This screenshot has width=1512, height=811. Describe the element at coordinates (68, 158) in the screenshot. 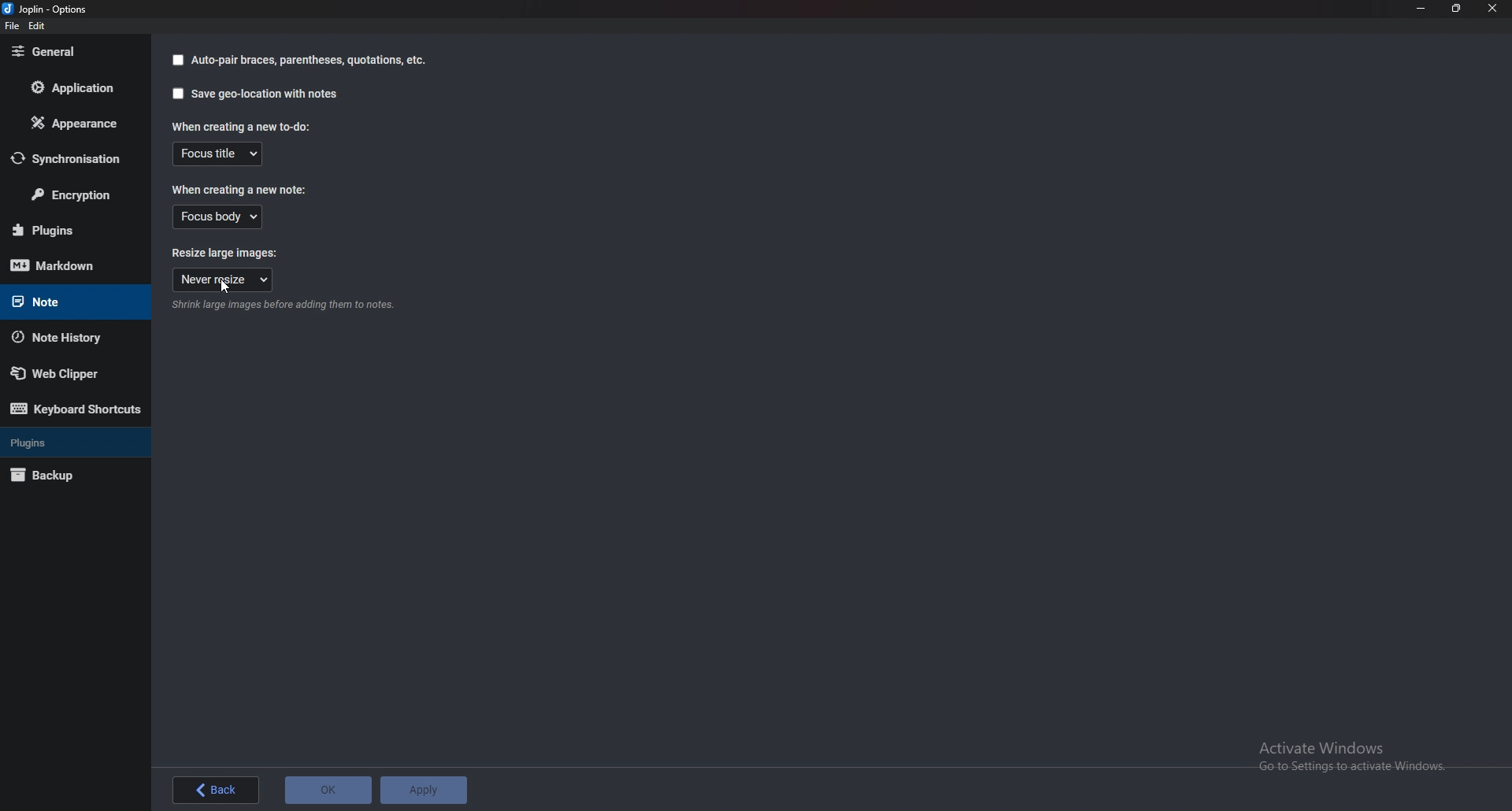

I see `Synchronization` at that location.